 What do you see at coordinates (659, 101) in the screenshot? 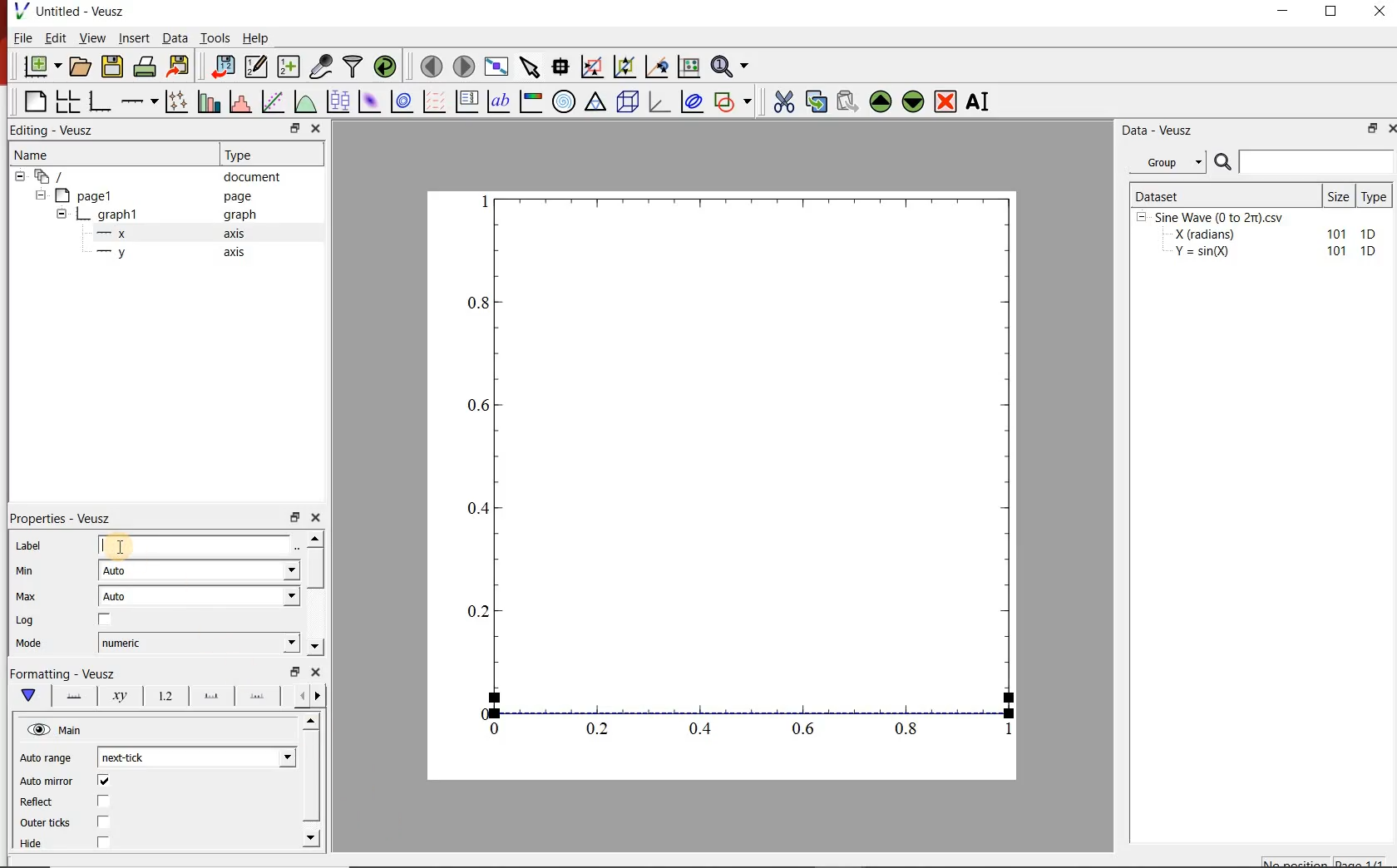
I see `3d graph` at bounding box center [659, 101].